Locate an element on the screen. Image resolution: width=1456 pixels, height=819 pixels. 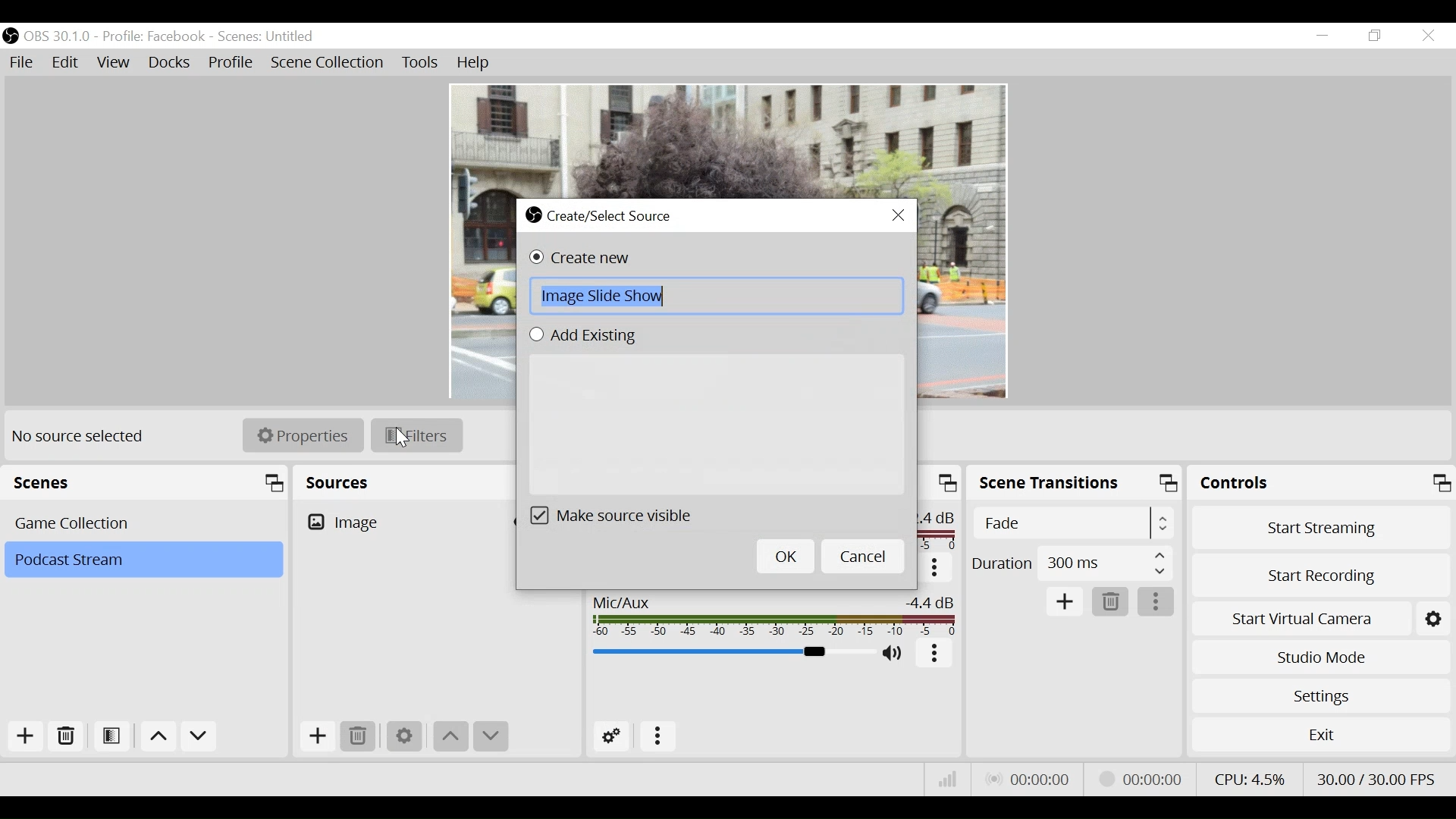
Stream Status is located at coordinates (1141, 777).